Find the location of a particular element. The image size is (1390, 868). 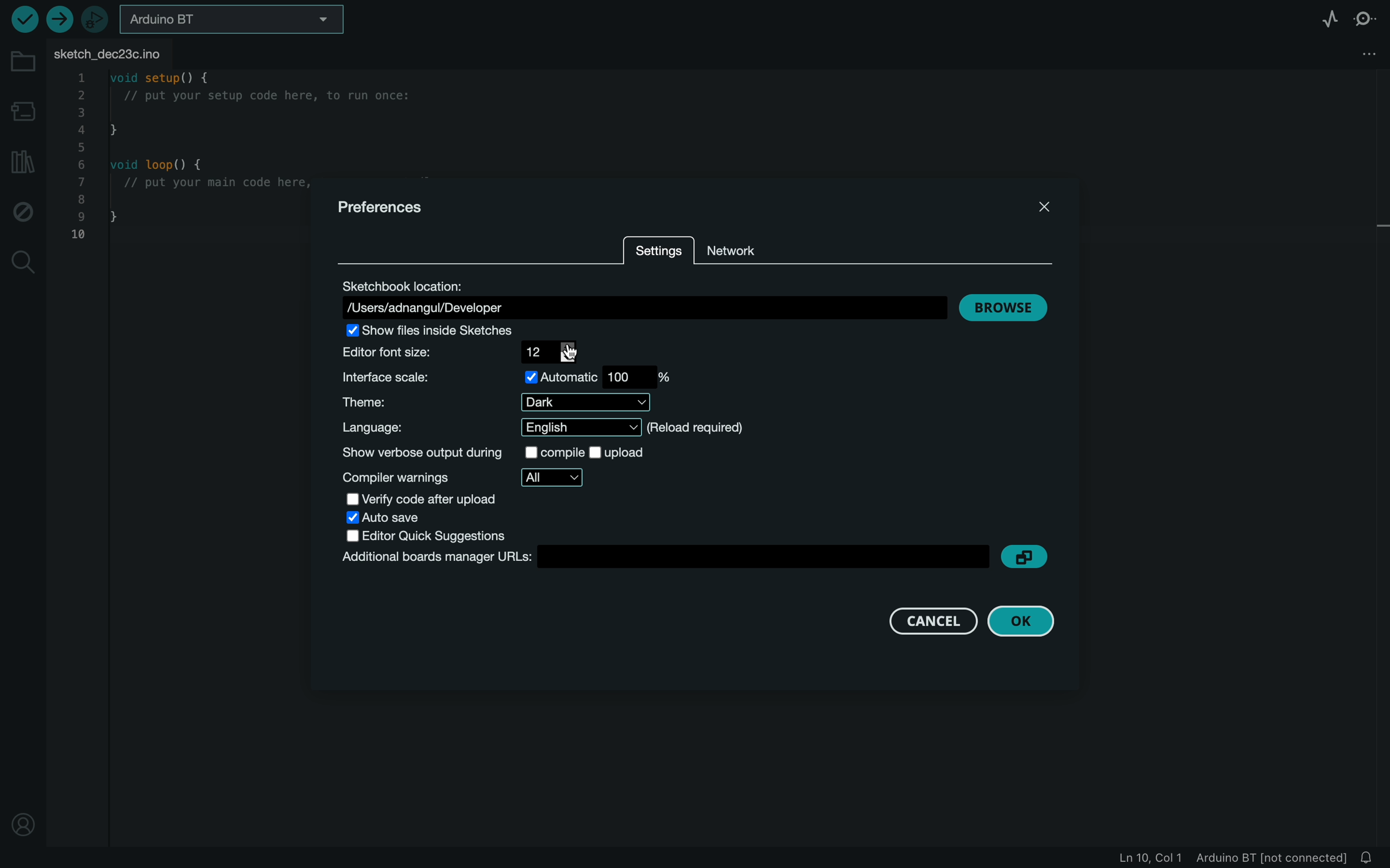

profile is located at coordinates (22, 828).